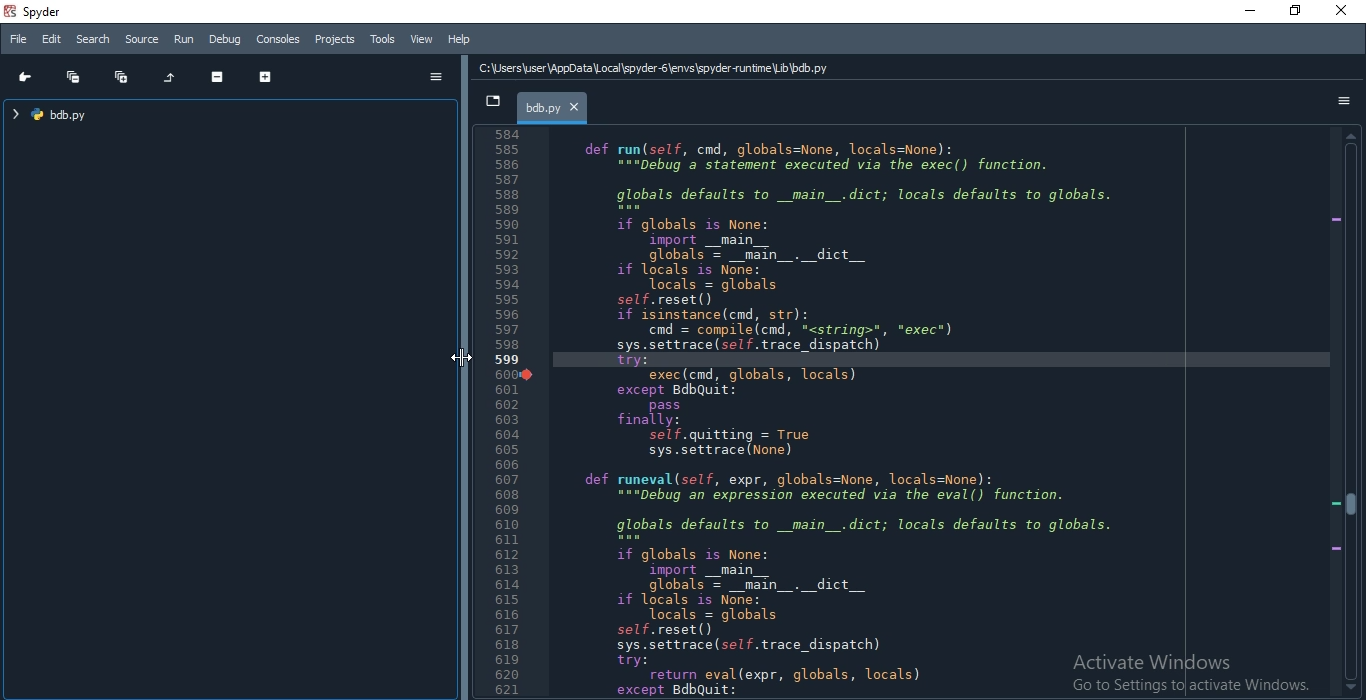 The width and height of the screenshot is (1366, 700). I want to click on minimize, so click(1252, 12).